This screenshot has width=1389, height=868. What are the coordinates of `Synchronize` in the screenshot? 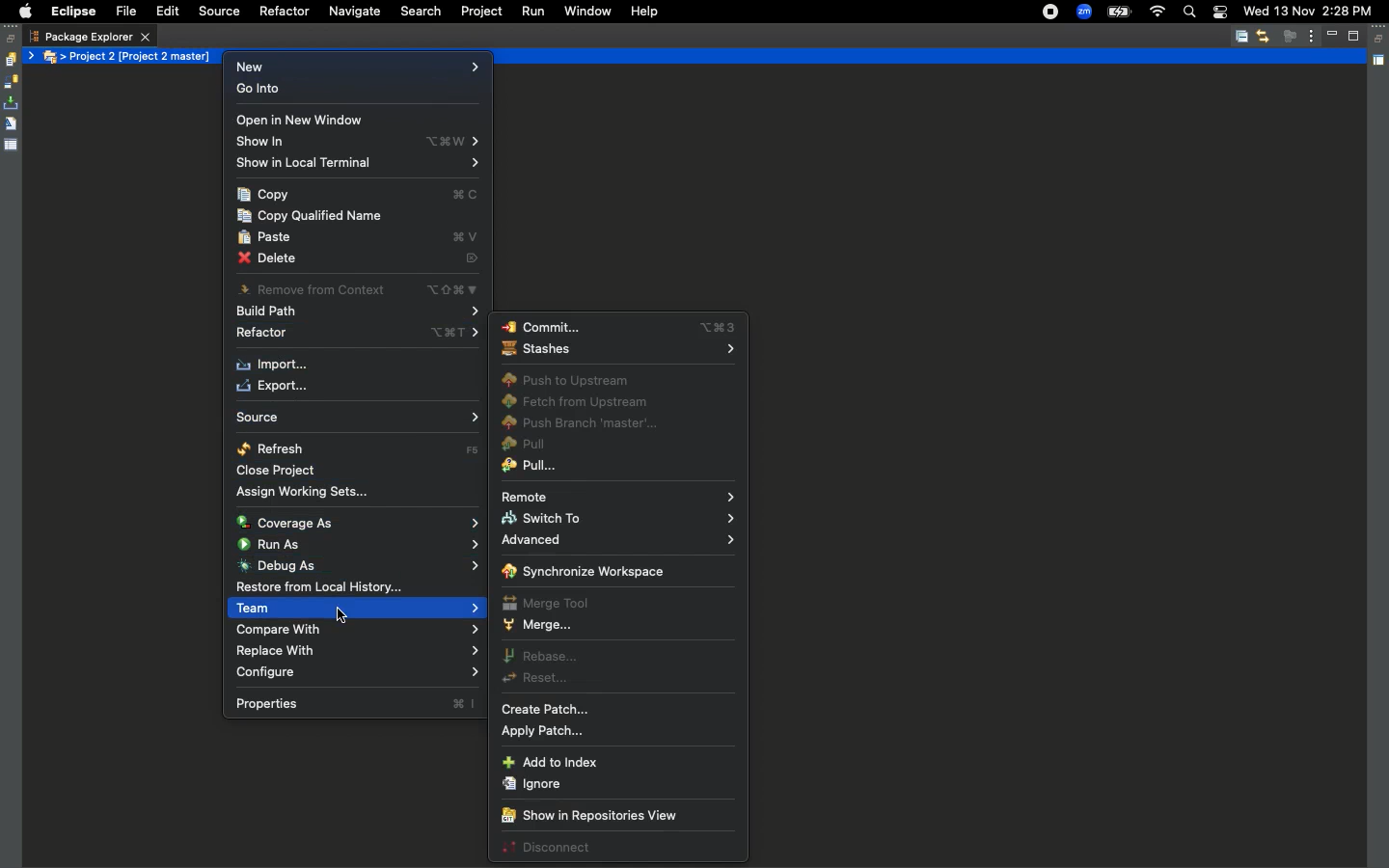 It's located at (11, 82).